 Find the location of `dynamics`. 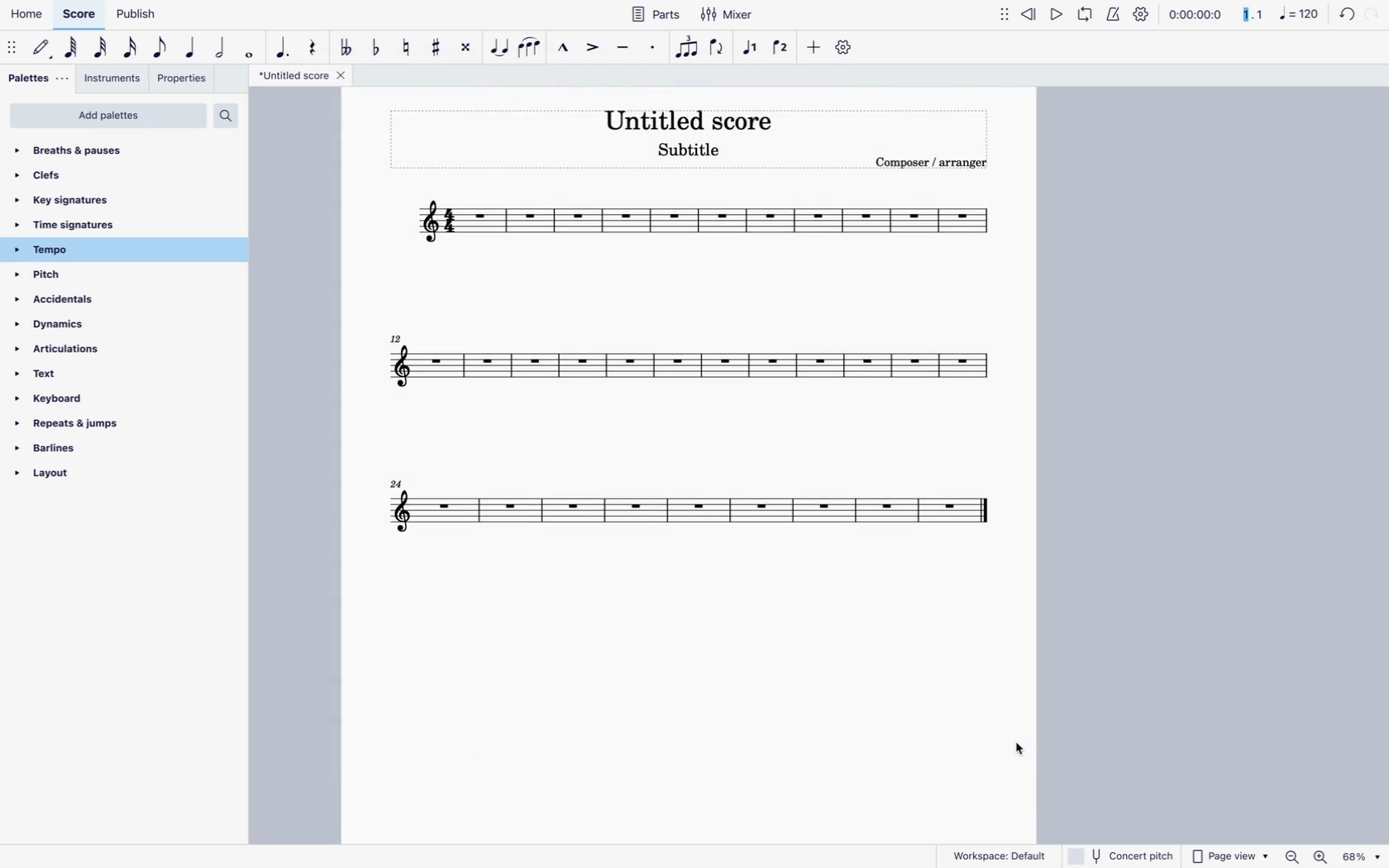

dynamics is located at coordinates (74, 329).